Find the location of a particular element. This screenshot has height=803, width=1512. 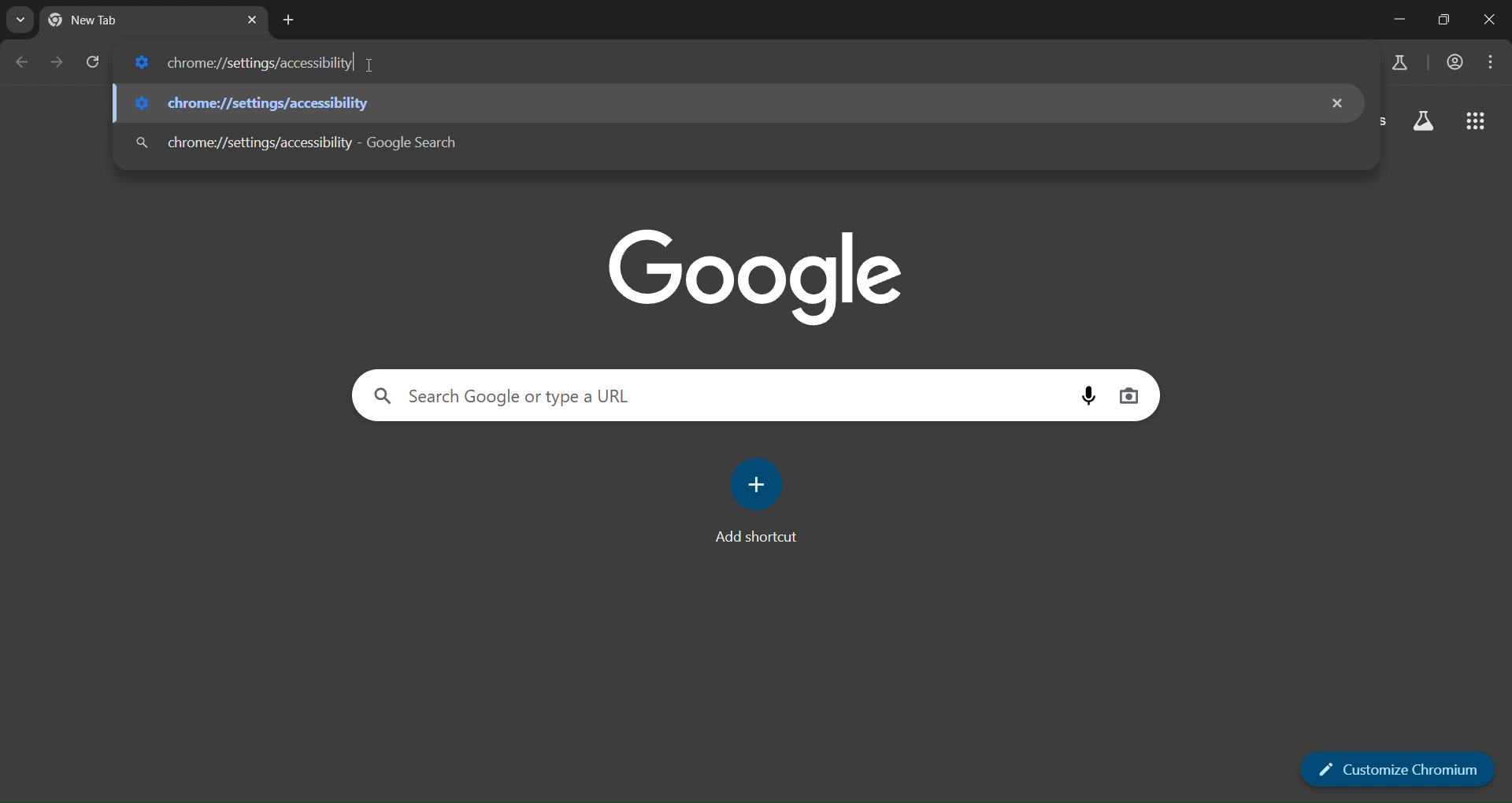

close tab is located at coordinates (252, 21).